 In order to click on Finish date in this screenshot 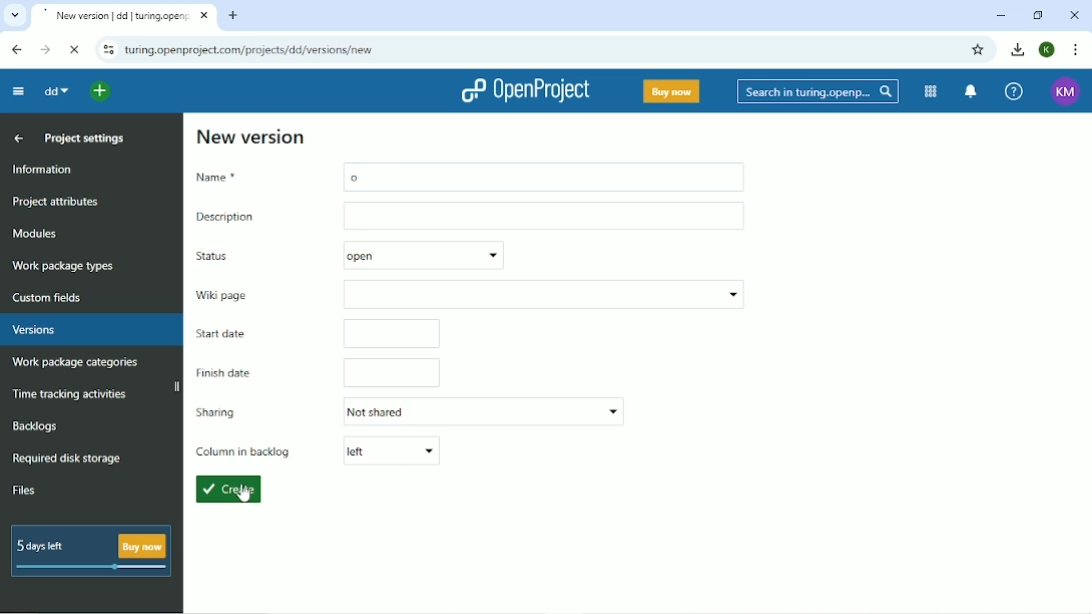, I will do `click(317, 373)`.